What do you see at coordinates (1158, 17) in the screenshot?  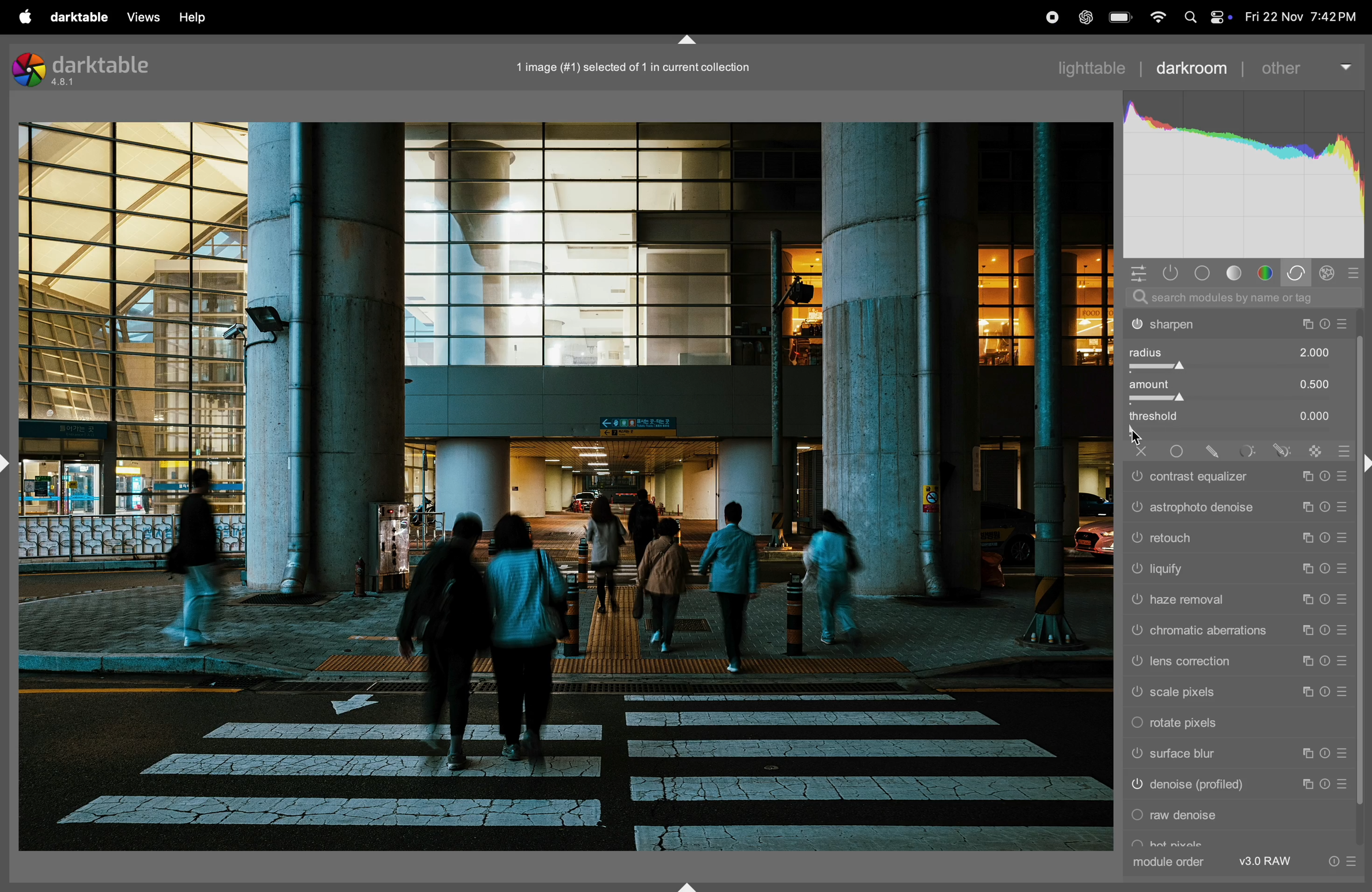 I see `wifi` at bounding box center [1158, 17].